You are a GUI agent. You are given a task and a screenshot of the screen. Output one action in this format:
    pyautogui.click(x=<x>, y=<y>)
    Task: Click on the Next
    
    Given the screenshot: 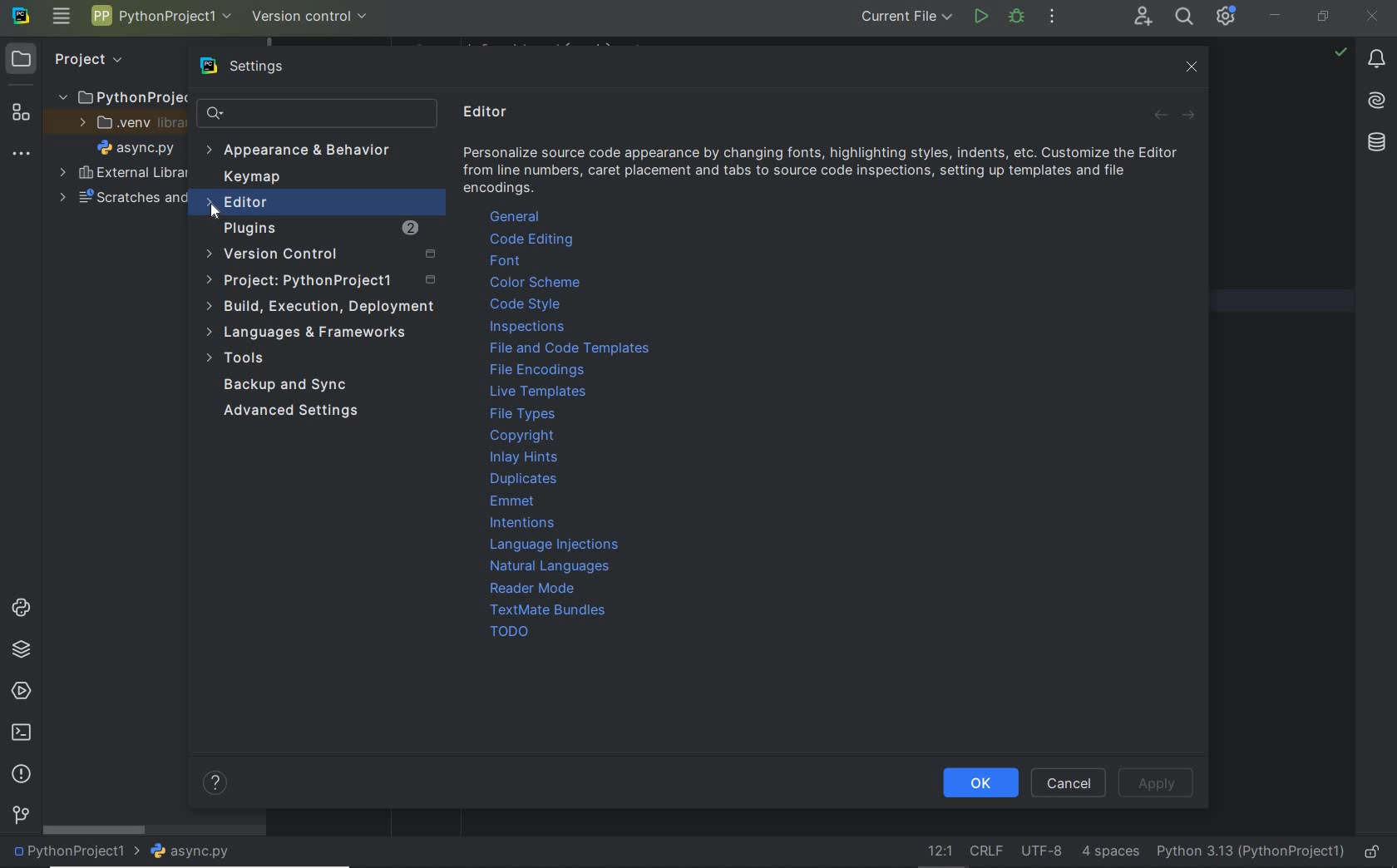 What is the action you would take?
    pyautogui.click(x=1187, y=118)
    